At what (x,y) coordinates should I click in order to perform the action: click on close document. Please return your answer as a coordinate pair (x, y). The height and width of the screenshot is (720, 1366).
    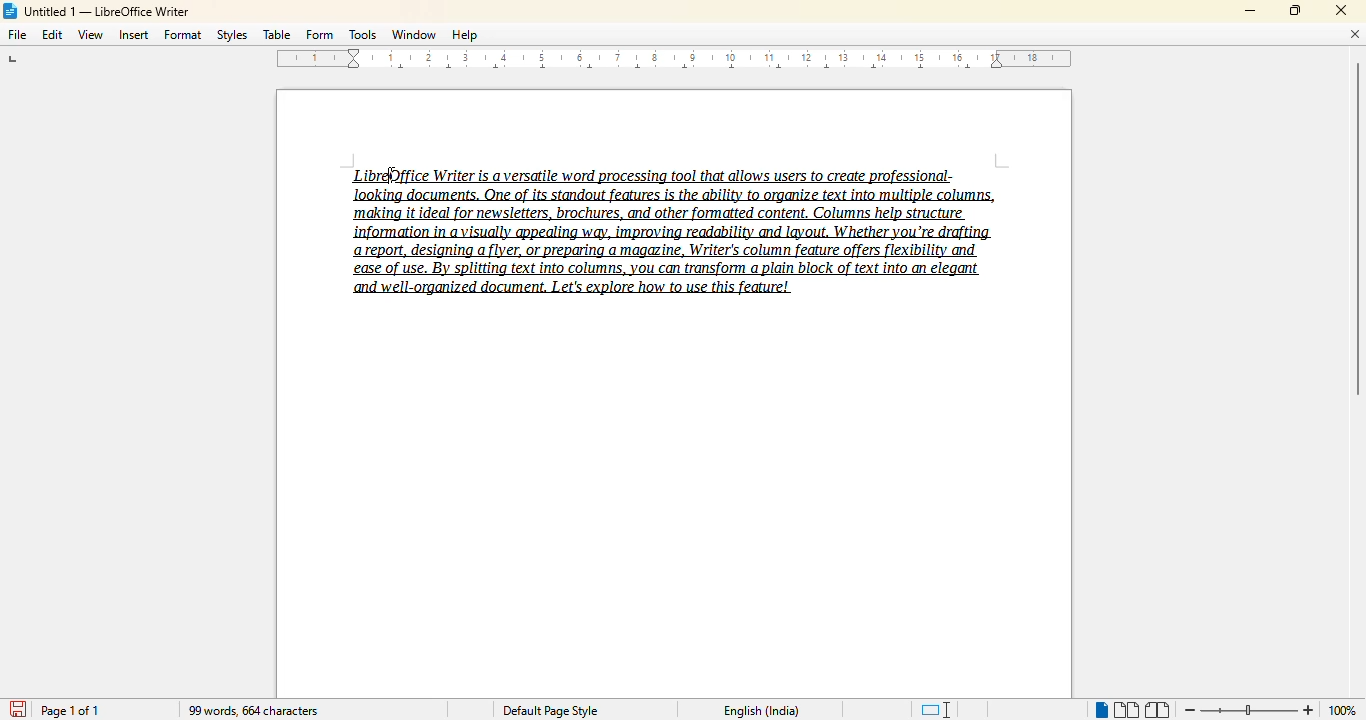
    Looking at the image, I should click on (1356, 34).